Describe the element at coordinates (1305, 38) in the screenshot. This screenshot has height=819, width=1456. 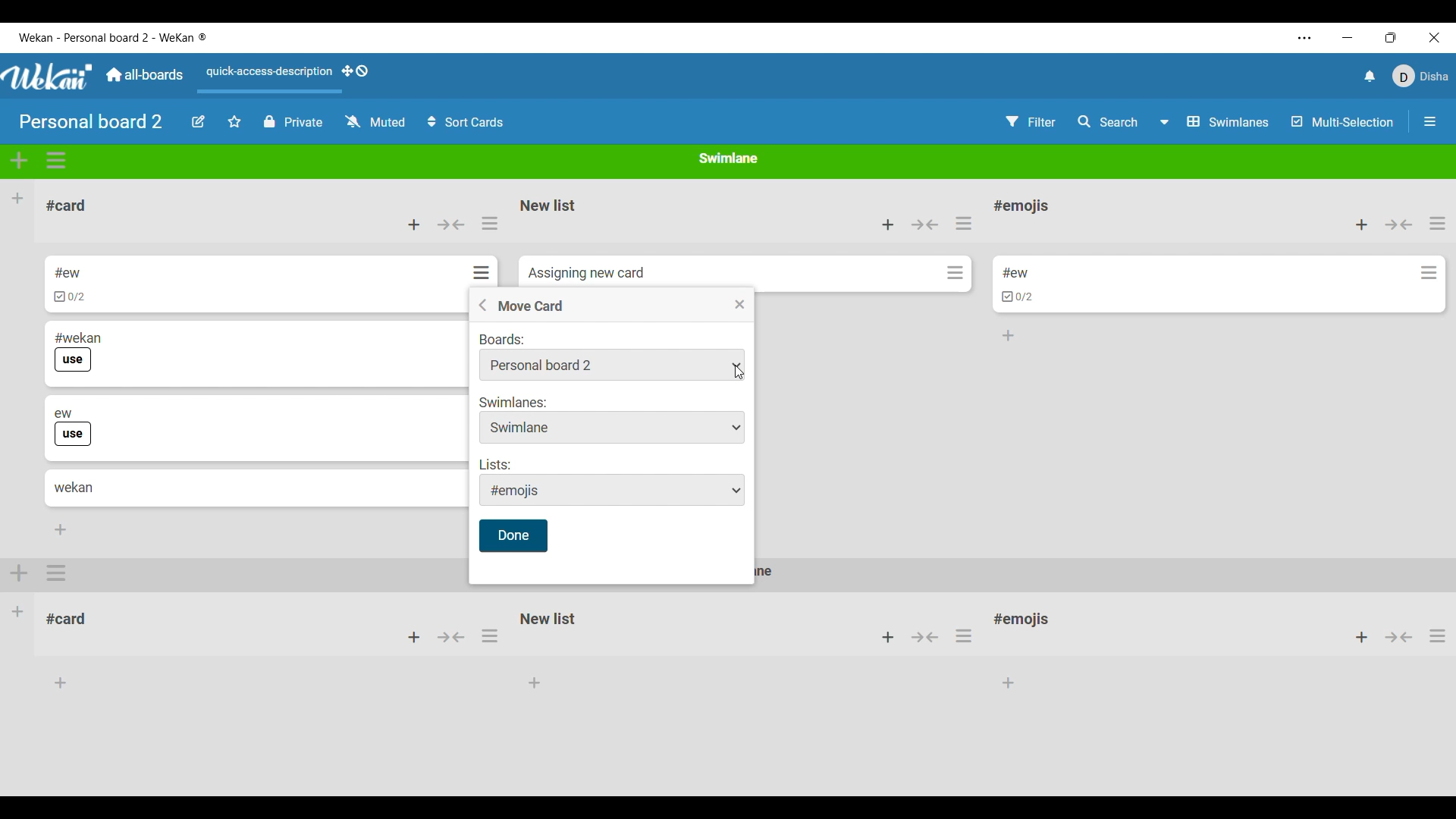
I see `More settings` at that location.